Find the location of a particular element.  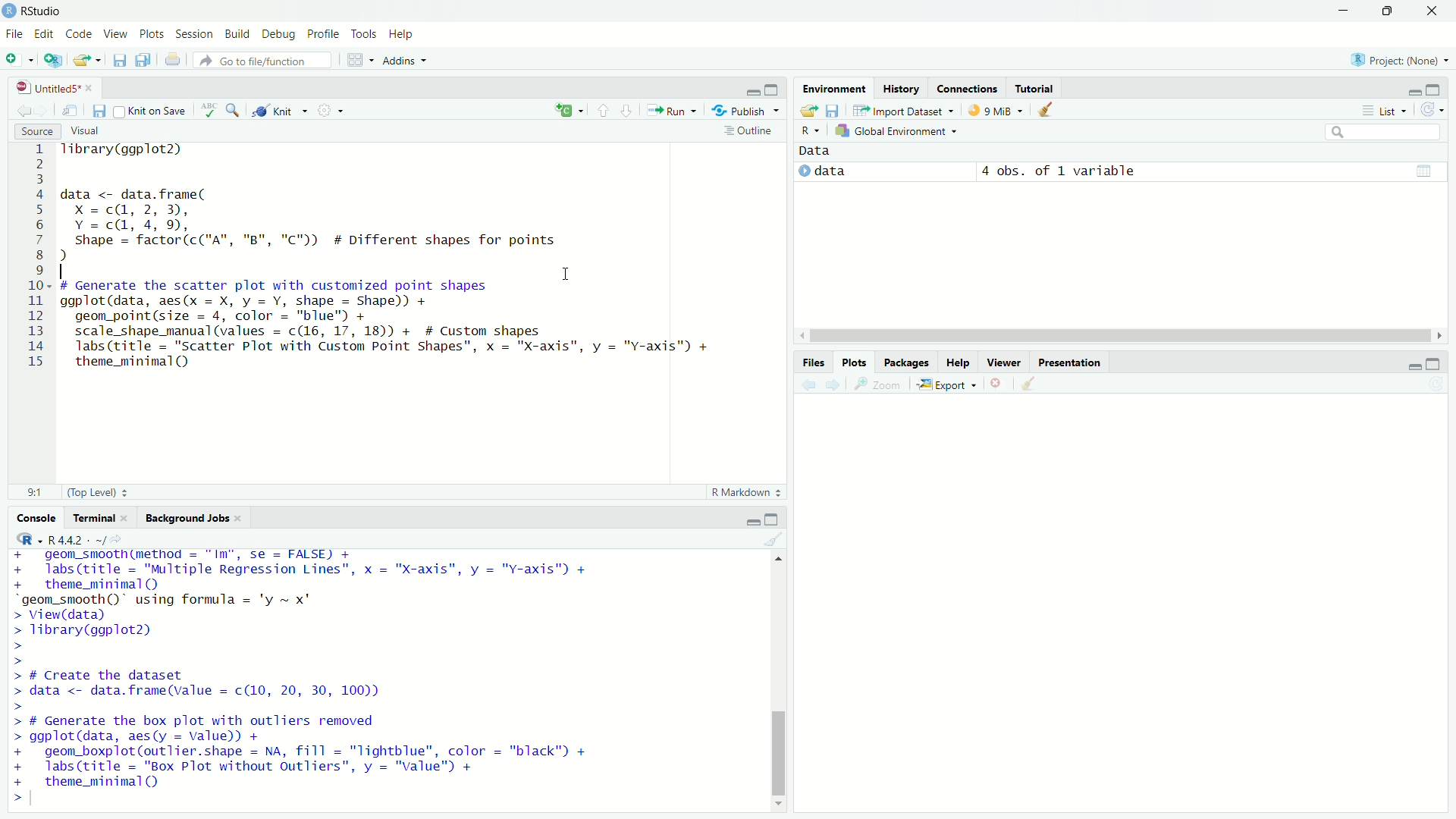

Code is located at coordinates (77, 33).